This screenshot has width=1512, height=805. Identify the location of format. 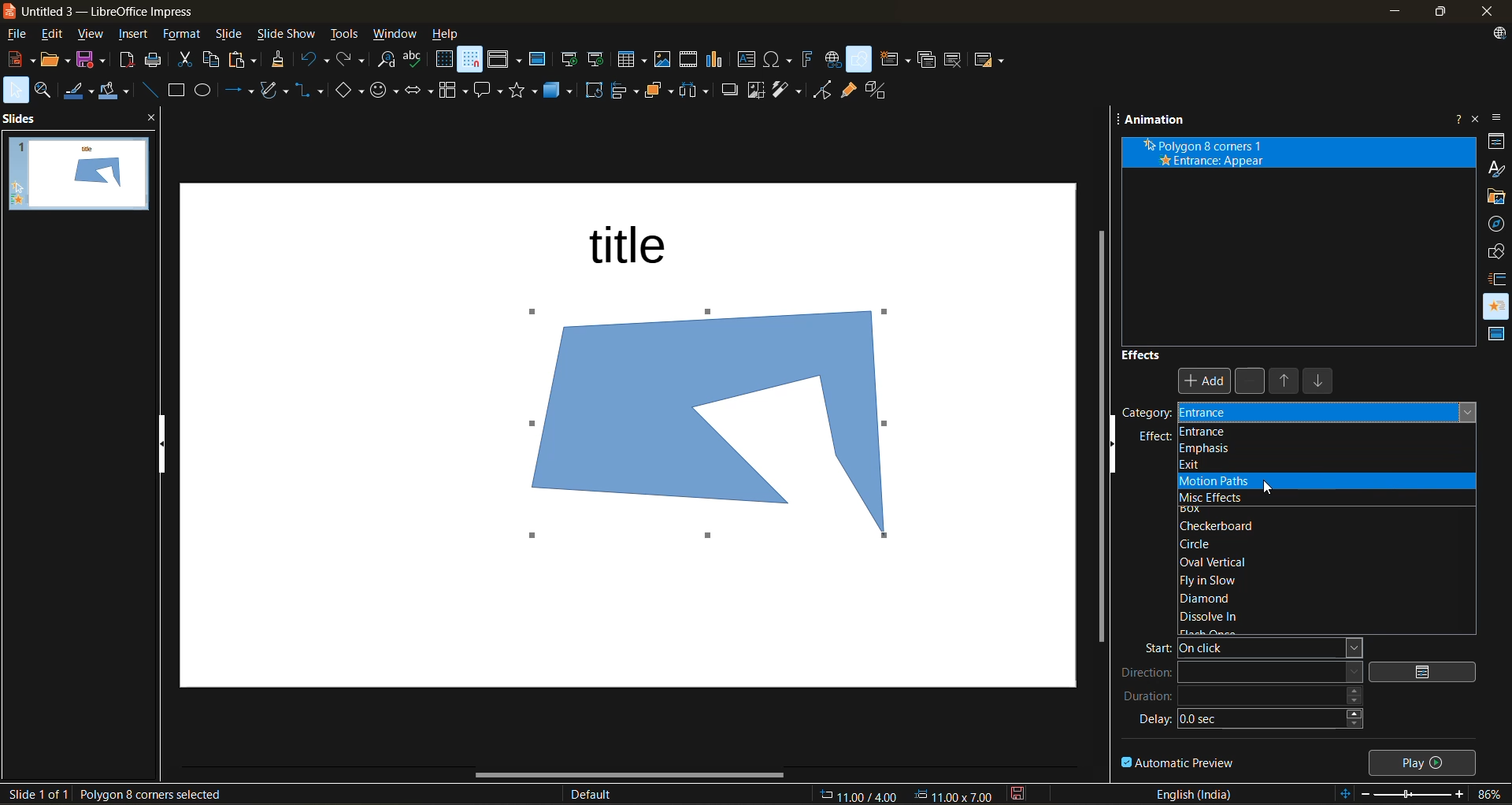
(180, 35).